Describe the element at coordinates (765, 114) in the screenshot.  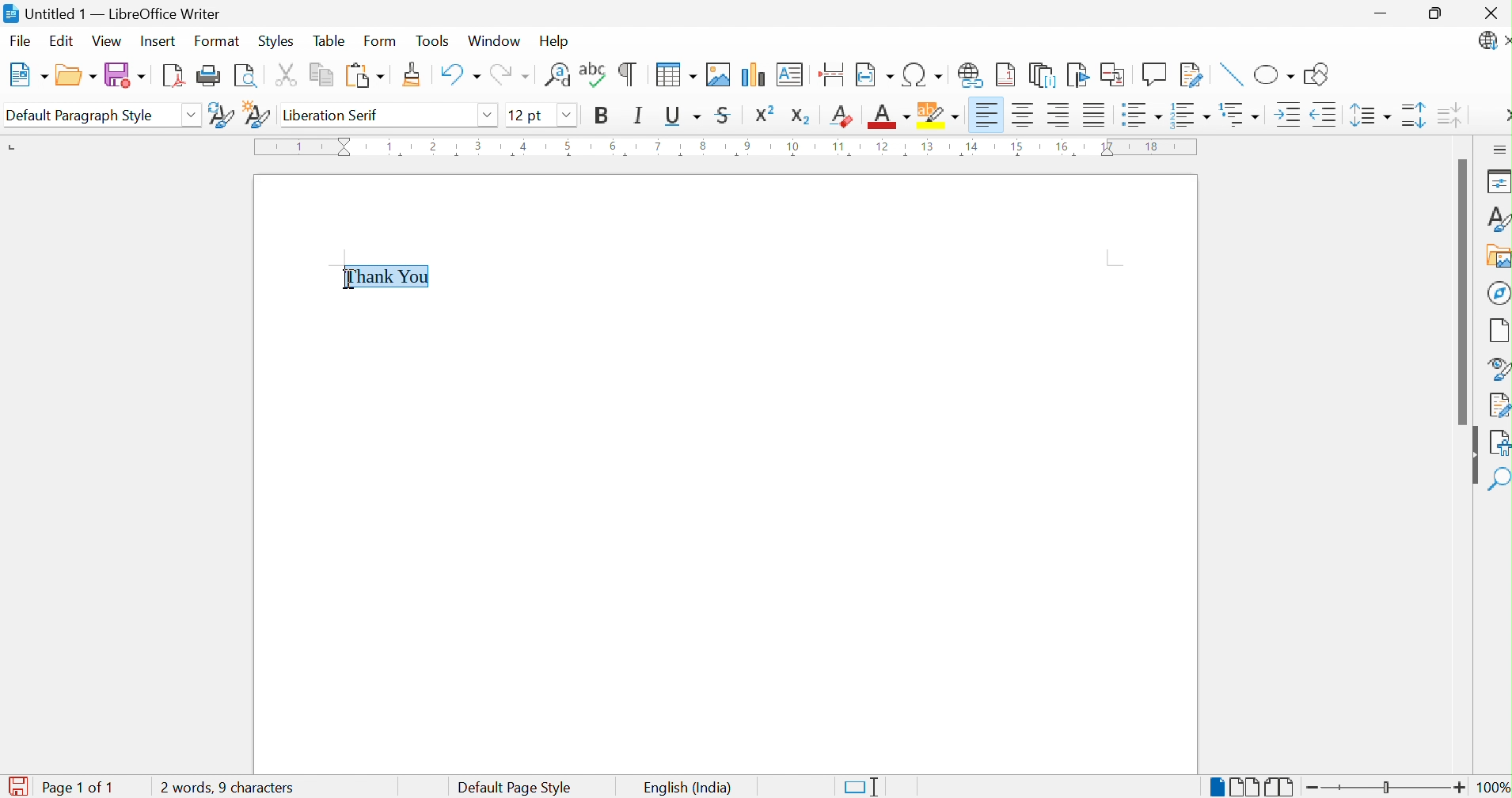
I see `Superscript` at that location.